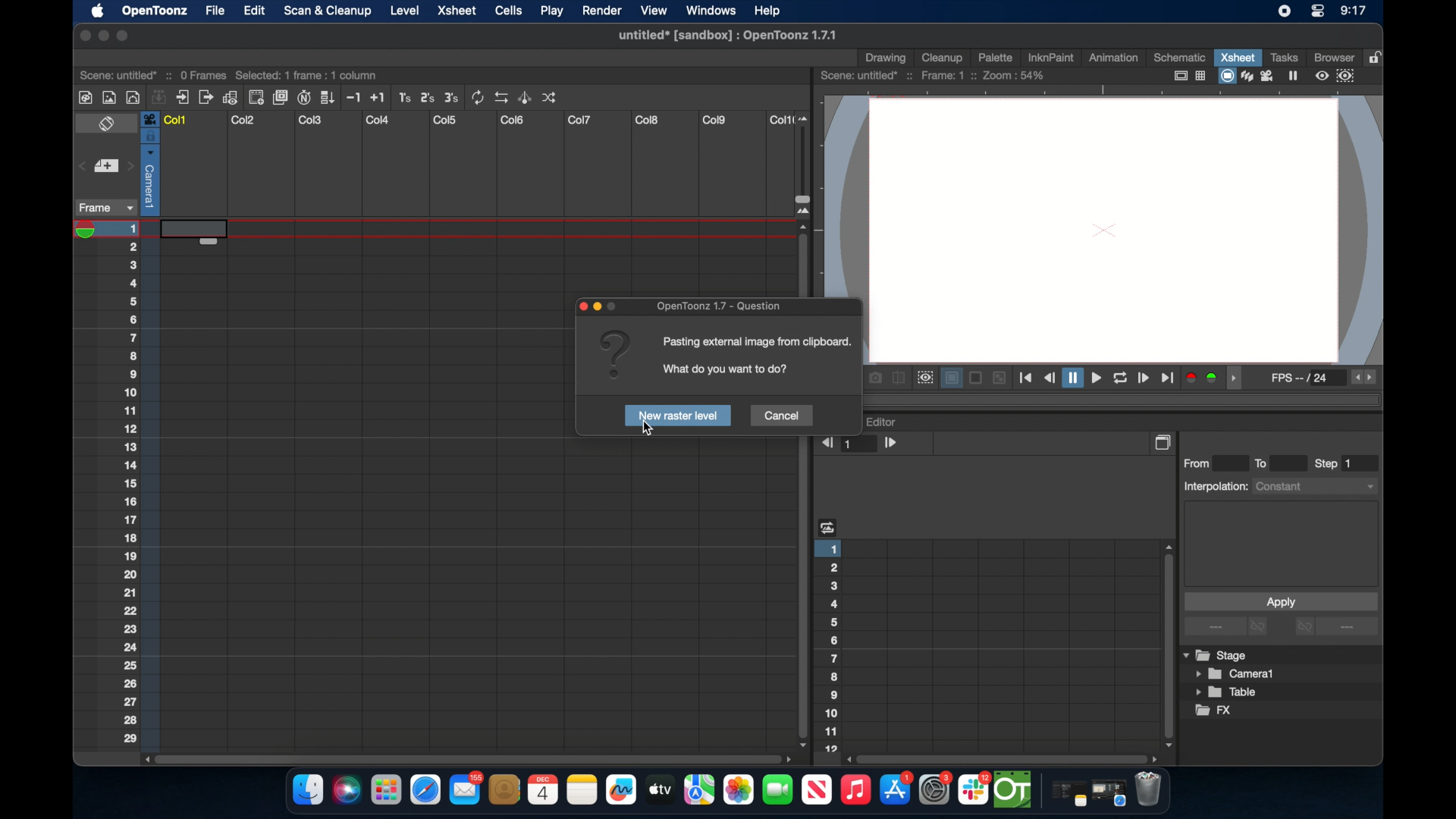 This screenshot has width=1456, height=819. I want to click on opnetoonz, so click(153, 11).